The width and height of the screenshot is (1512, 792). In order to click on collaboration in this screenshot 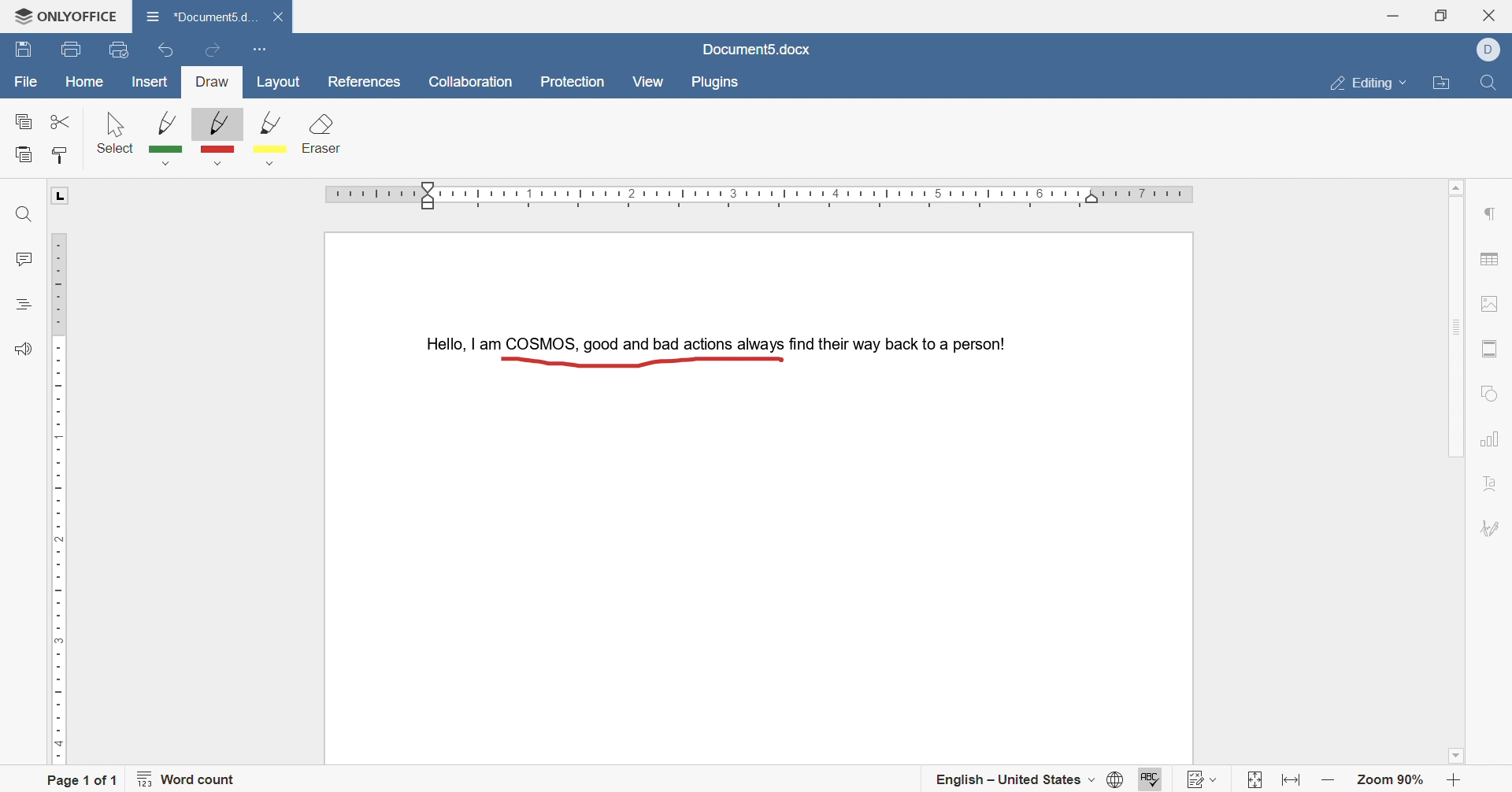, I will do `click(472, 83)`.